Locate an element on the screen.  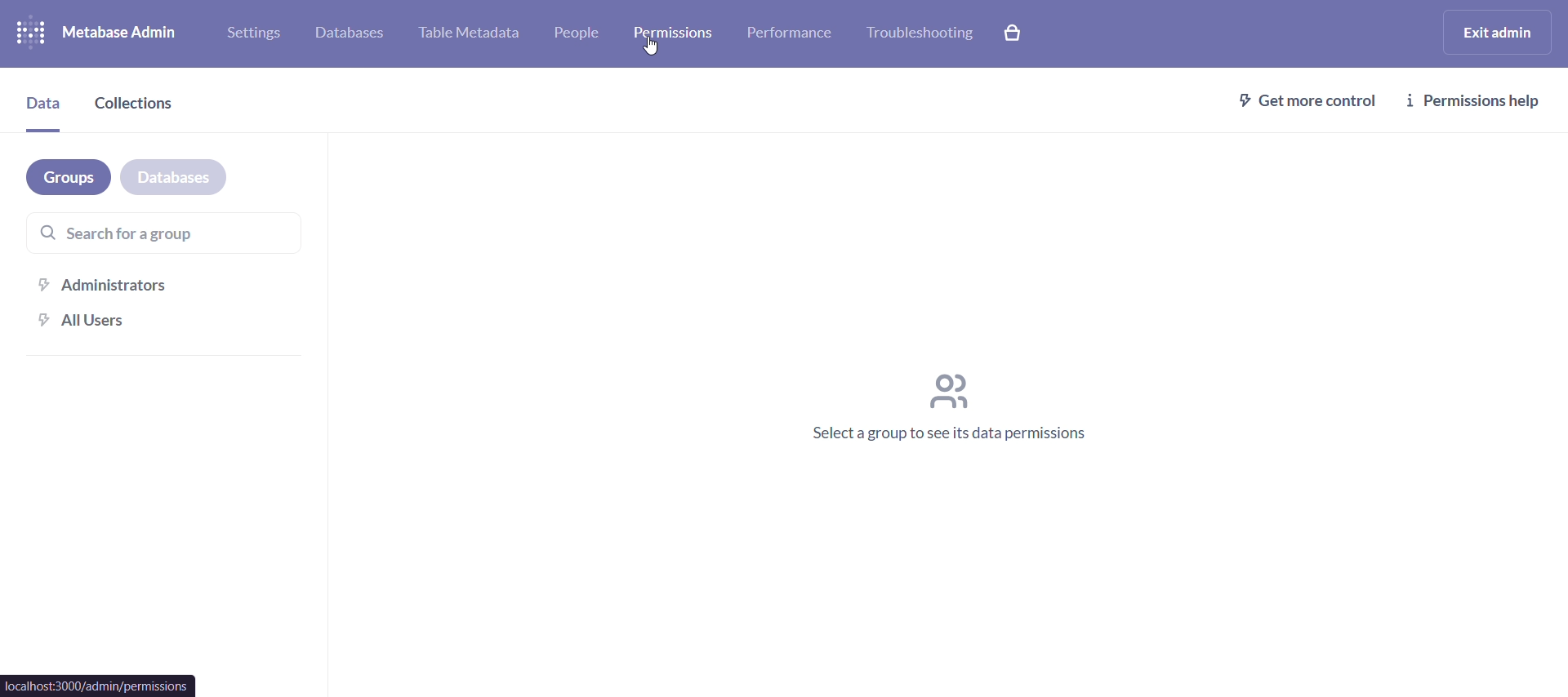
select a group to see its data permissions is located at coordinates (954, 411).